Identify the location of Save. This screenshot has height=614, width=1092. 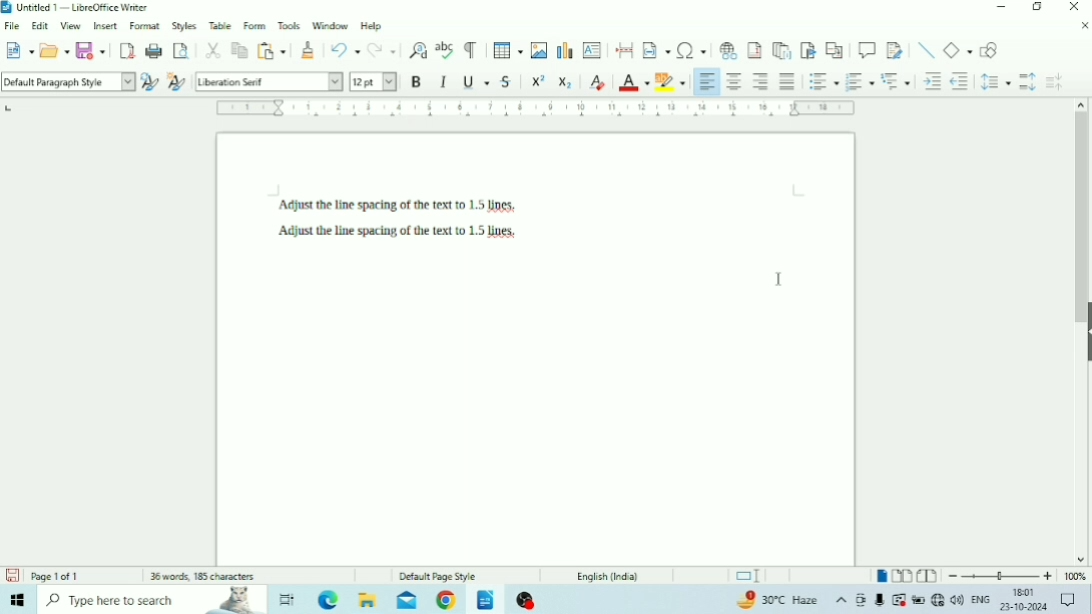
(12, 575).